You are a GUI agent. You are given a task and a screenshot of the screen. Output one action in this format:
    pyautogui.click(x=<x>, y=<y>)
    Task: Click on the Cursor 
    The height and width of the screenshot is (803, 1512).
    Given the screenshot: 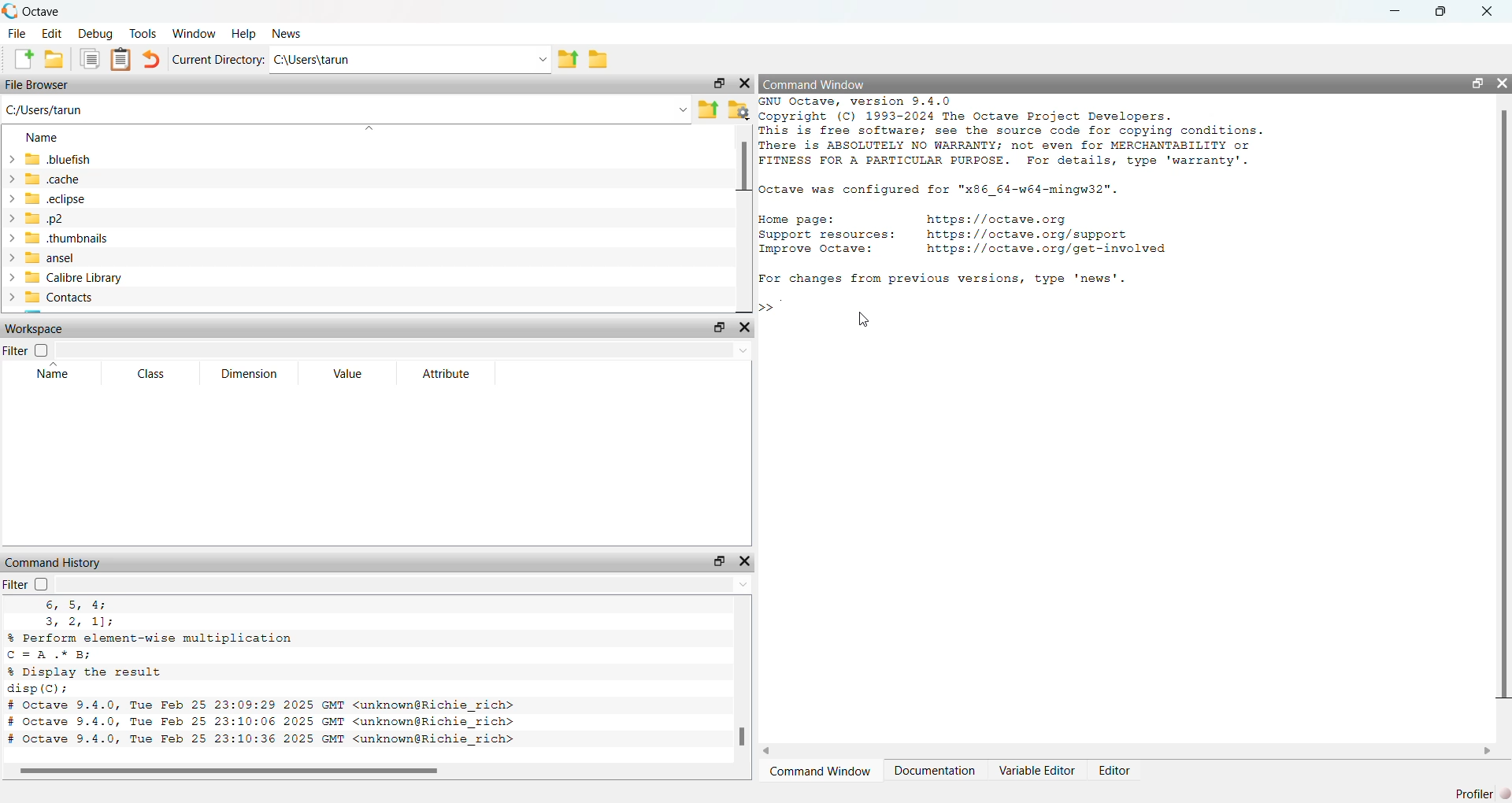 What is the action you would take?
    pyautogui.click(x=868, y=318)
    